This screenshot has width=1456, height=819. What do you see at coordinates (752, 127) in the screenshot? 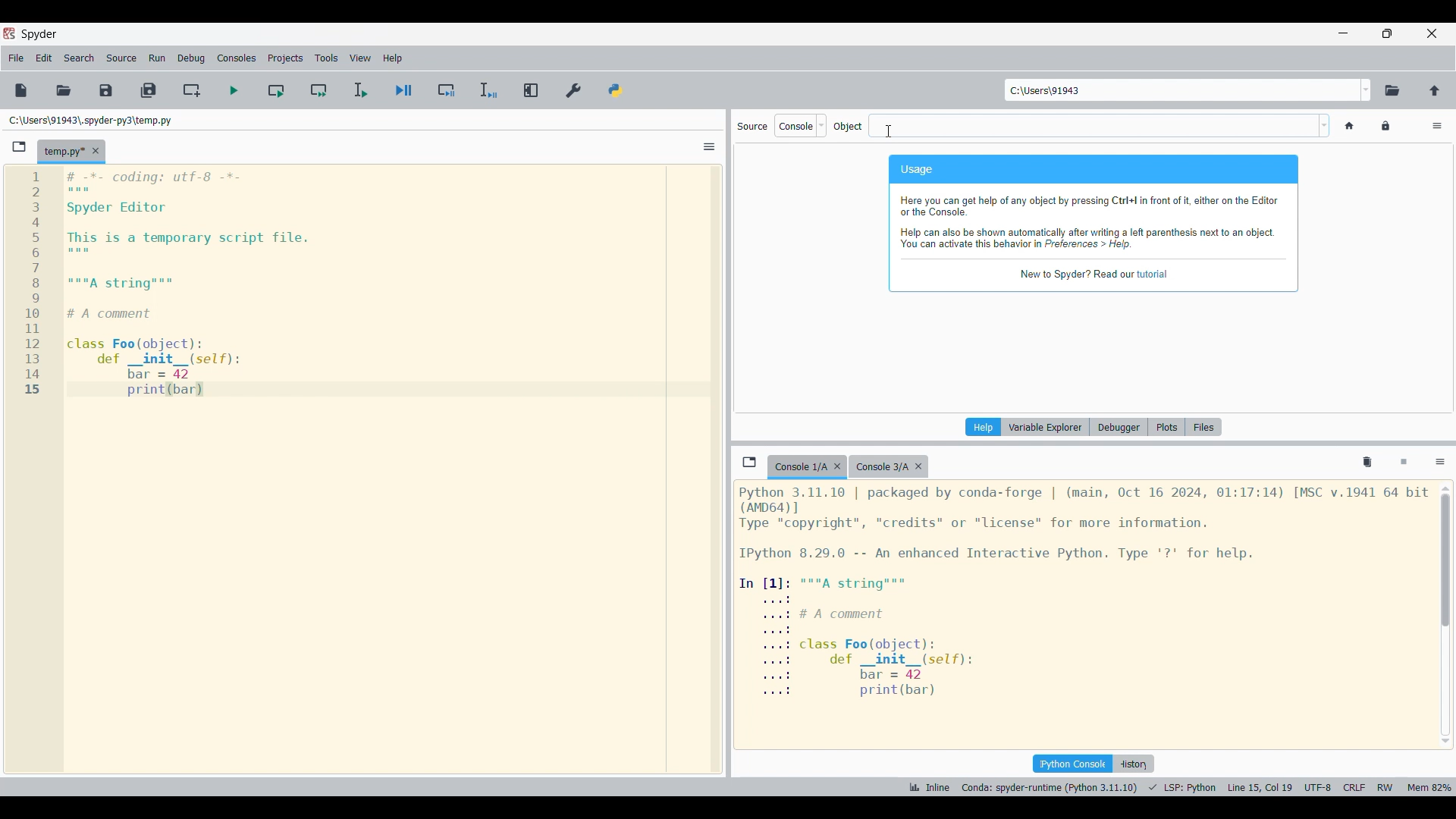
I see `Indicates source options` at bounding box center [752, 127].